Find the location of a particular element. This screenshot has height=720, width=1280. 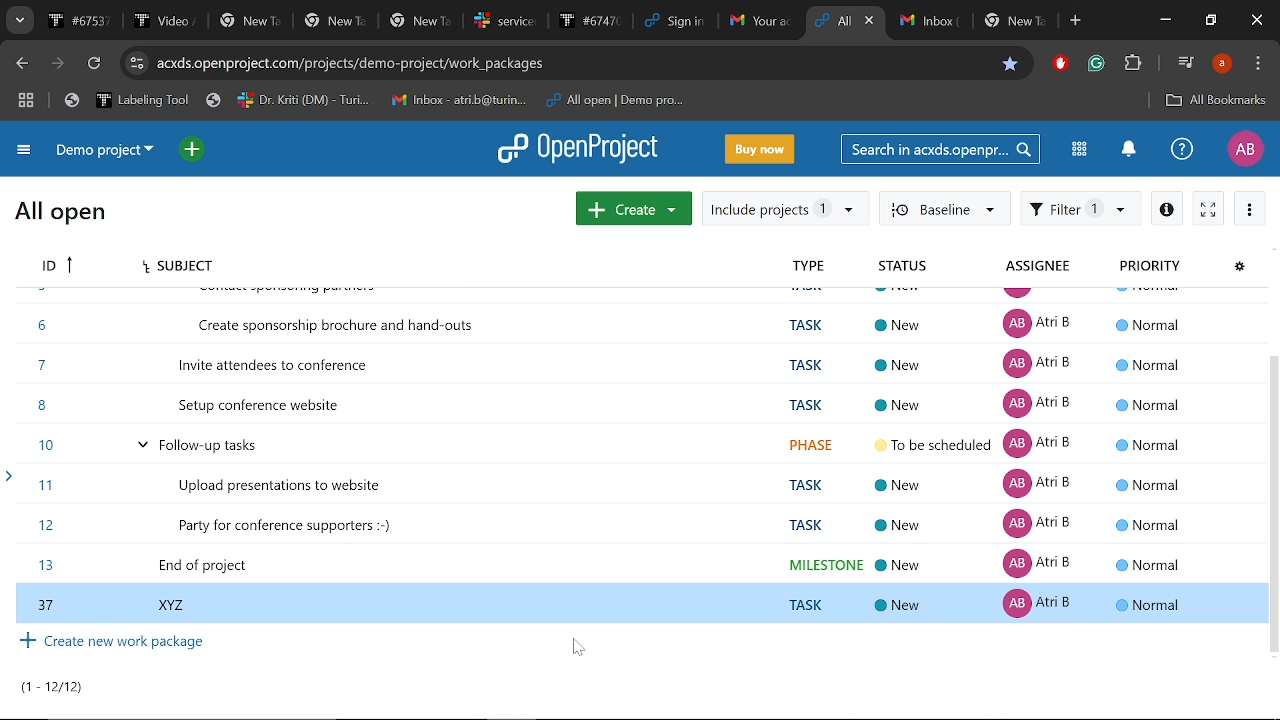

Configure view is located at coordinates (1241, 265).